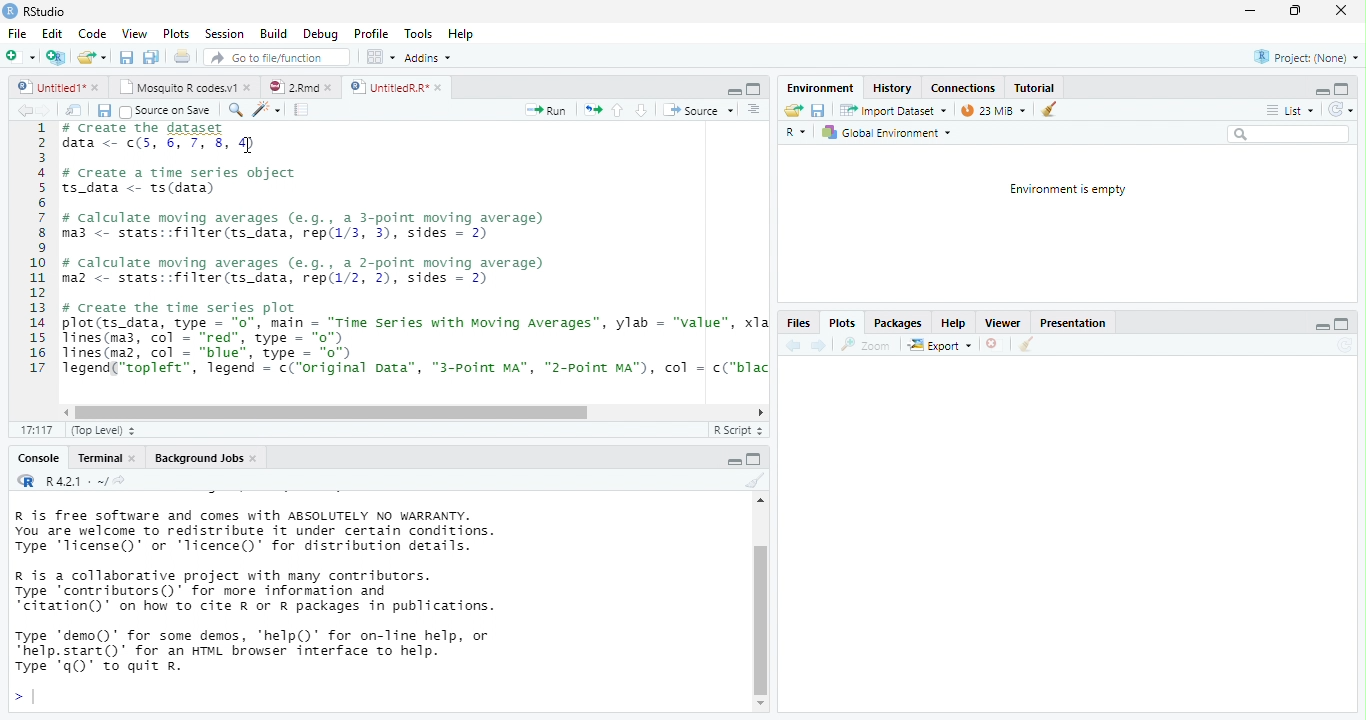 This screenshot has height=720, width=1366. Describe the element at coordinates (734, 92) in the screenshot. I see `minimize` at that location.